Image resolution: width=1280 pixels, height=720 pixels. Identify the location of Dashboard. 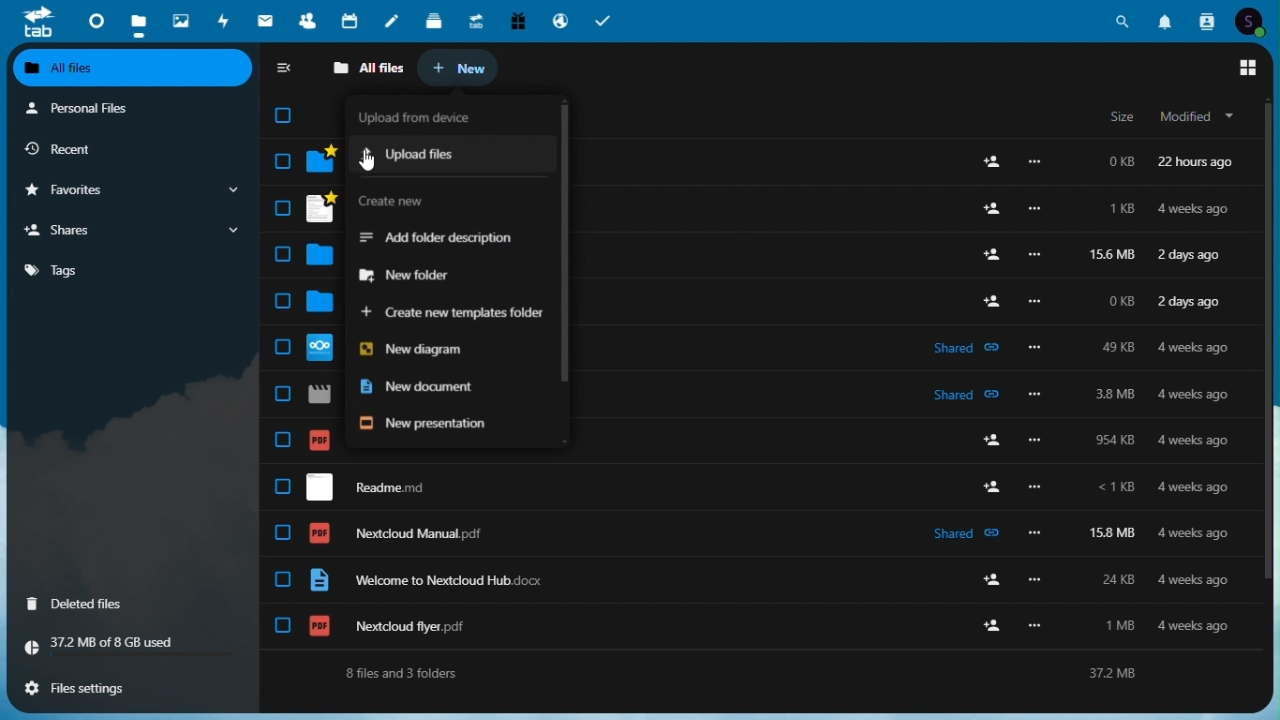
(93, 21).